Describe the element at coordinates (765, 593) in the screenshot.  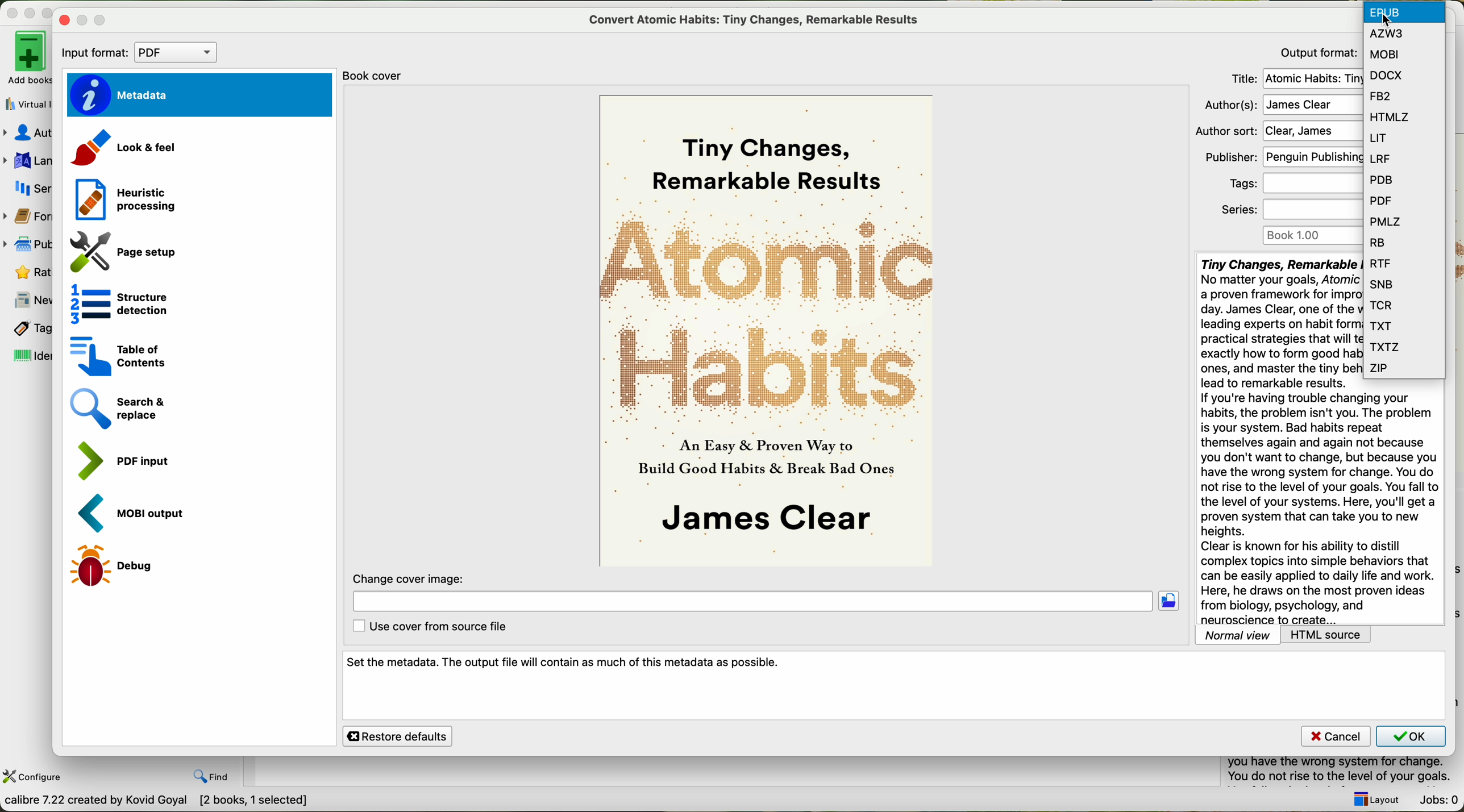
I see `change cover image` at that location.